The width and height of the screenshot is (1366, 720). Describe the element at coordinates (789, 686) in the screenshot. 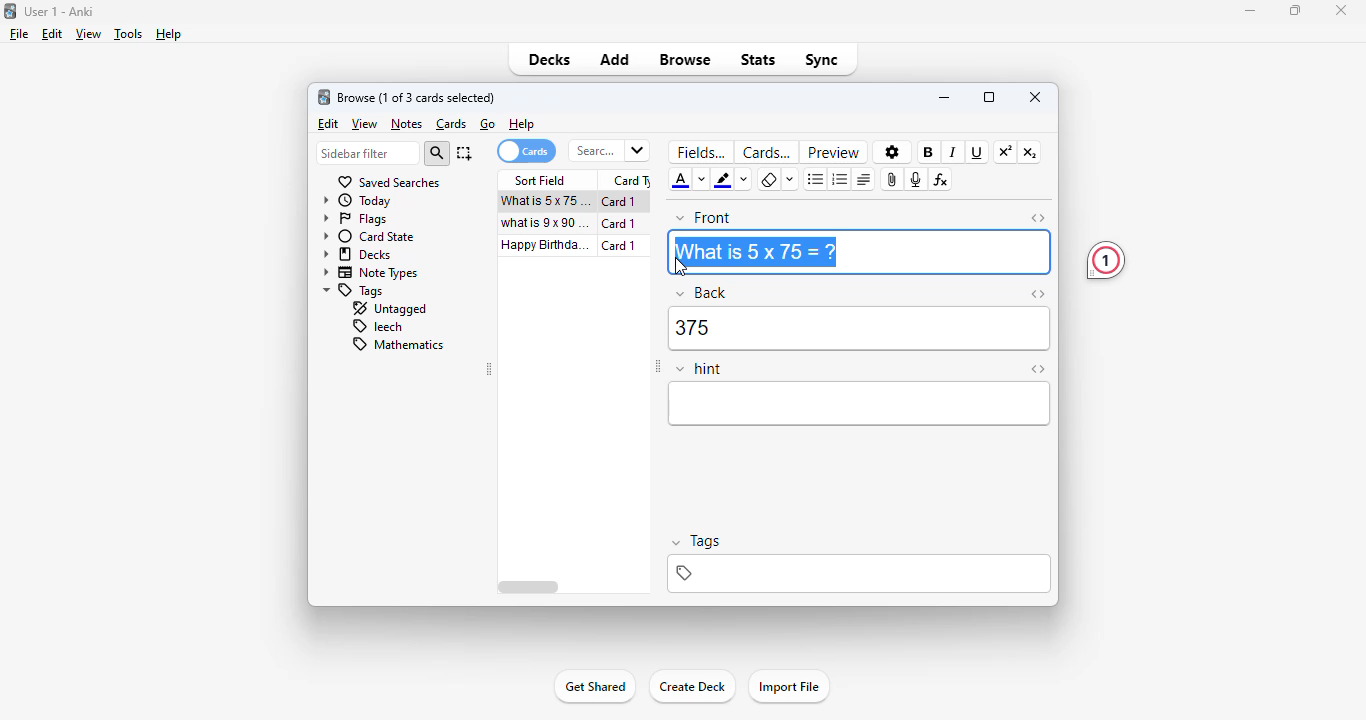

I see `import file` at that location.